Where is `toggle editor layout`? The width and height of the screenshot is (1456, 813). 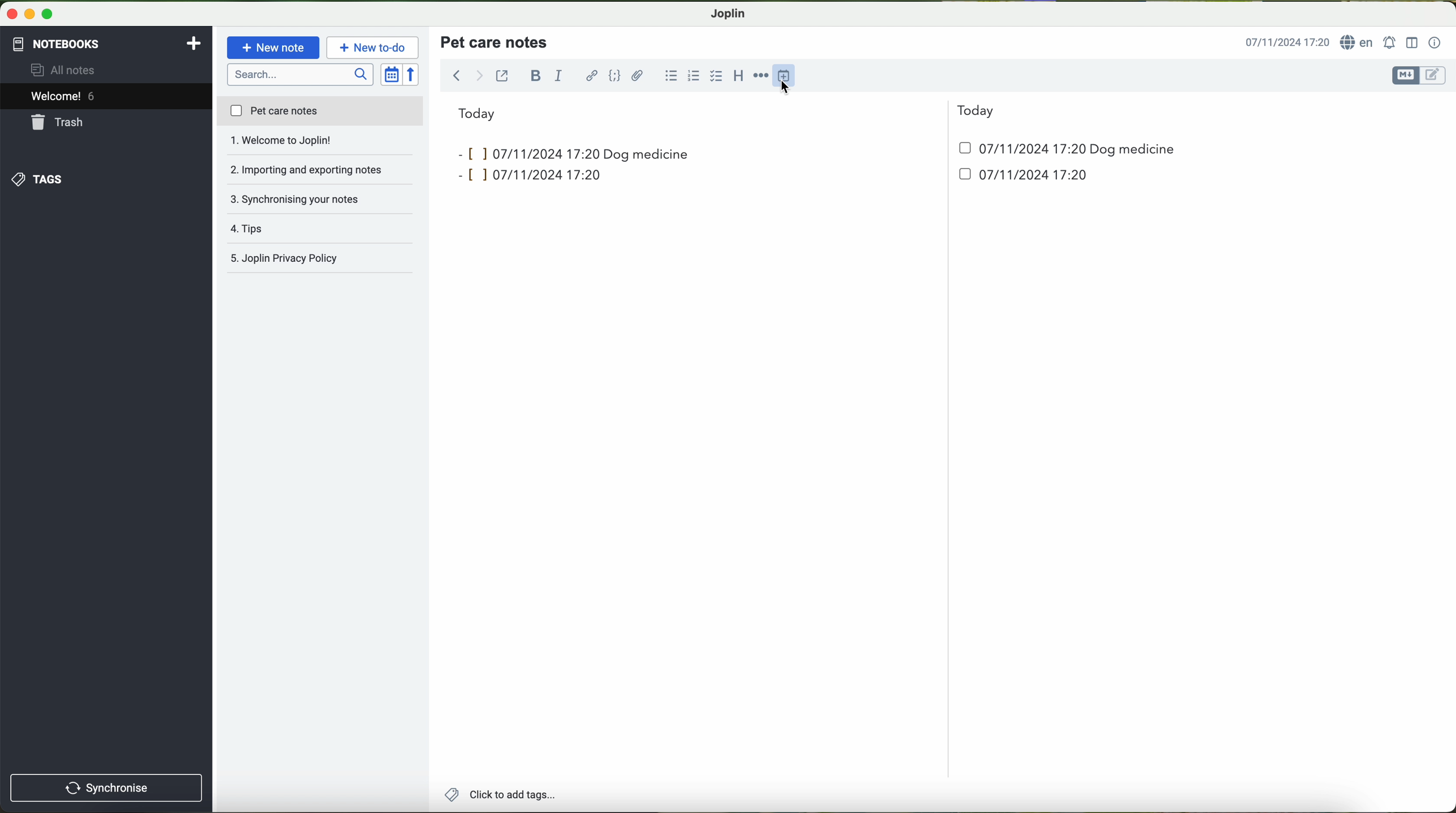
toggle editor layout is located at coordinates (1412, 42).